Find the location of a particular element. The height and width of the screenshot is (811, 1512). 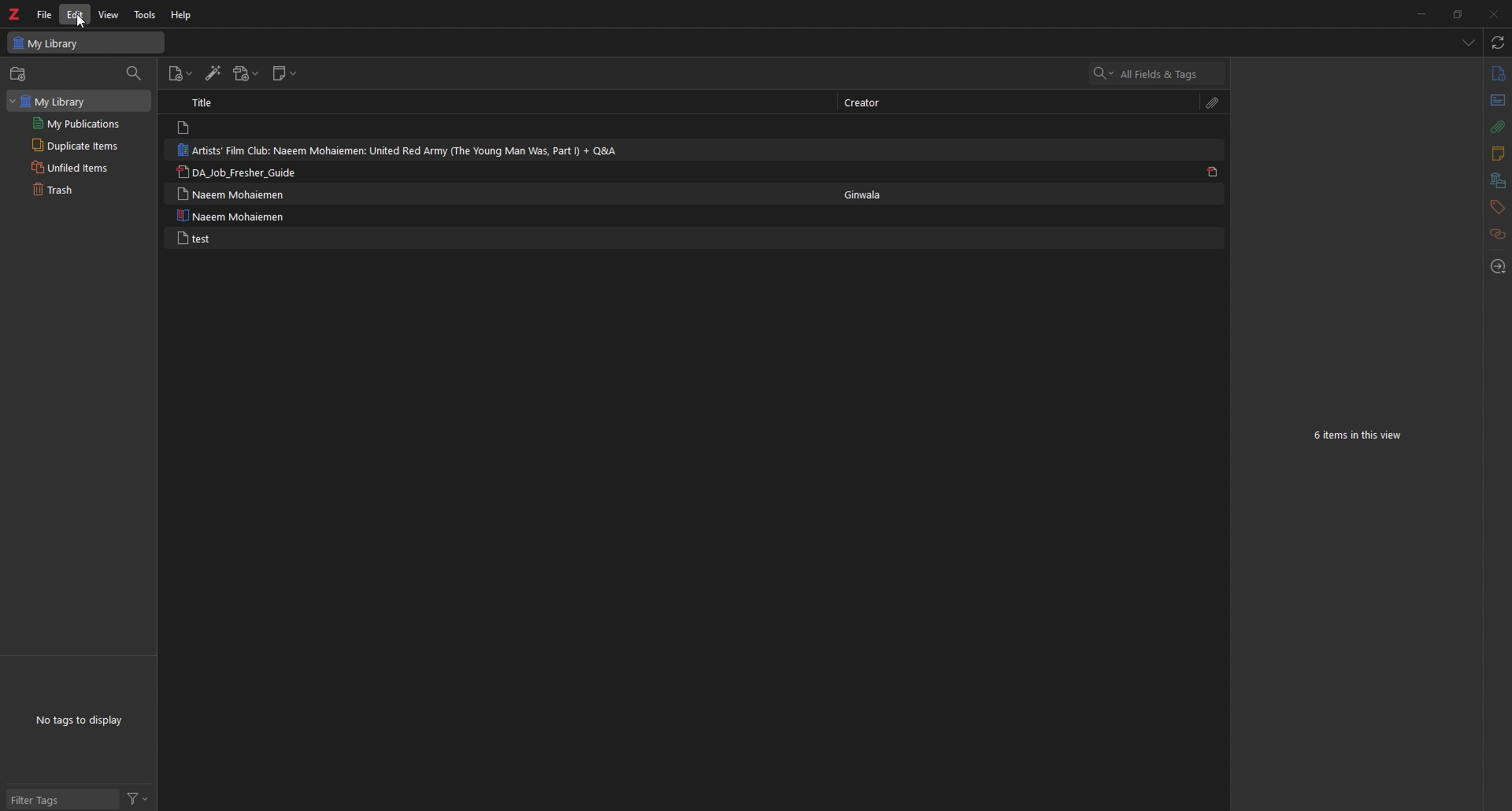

add attachments is located at coordinates (245, 73).